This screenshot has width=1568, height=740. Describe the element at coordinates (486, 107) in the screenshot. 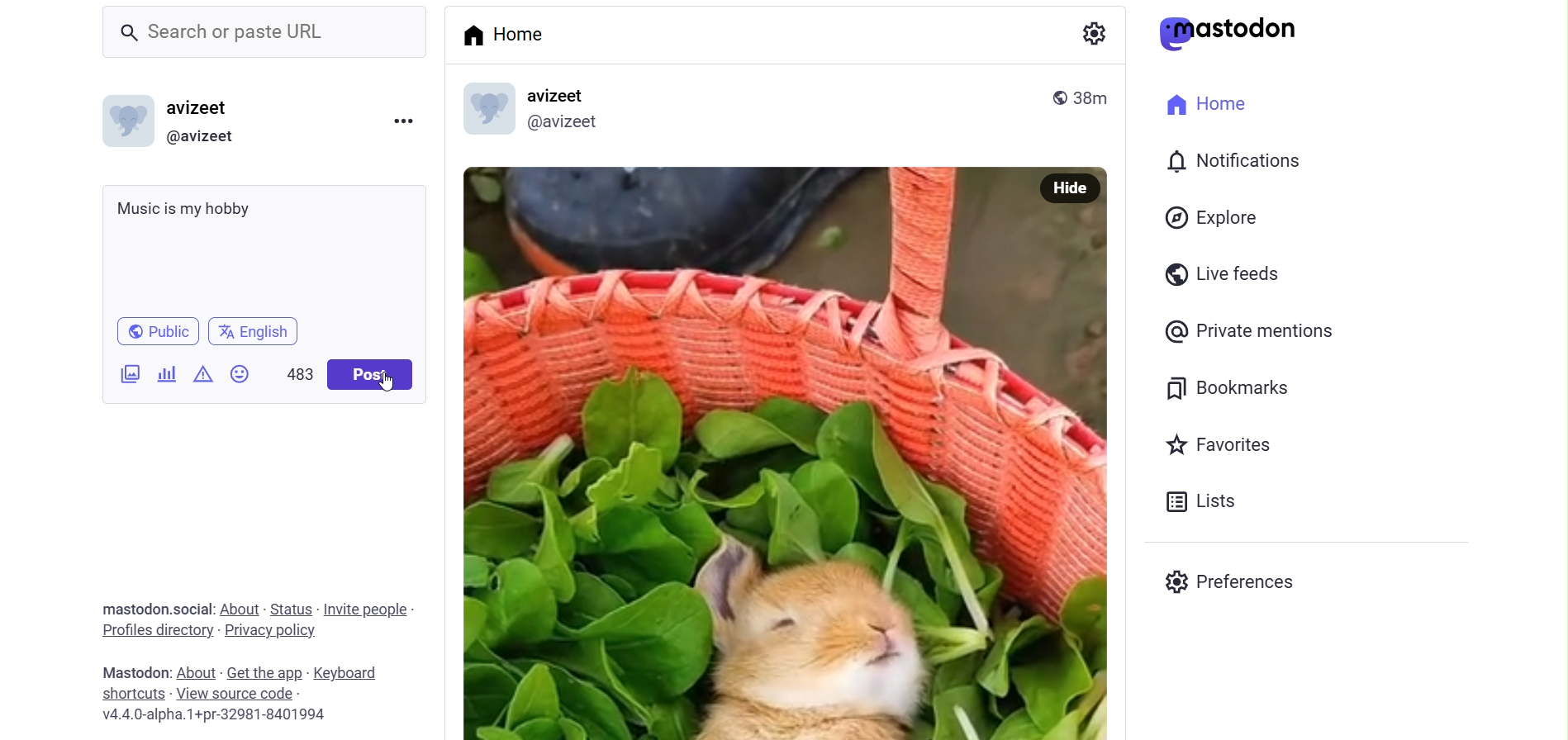

I see `display picture` at that location.